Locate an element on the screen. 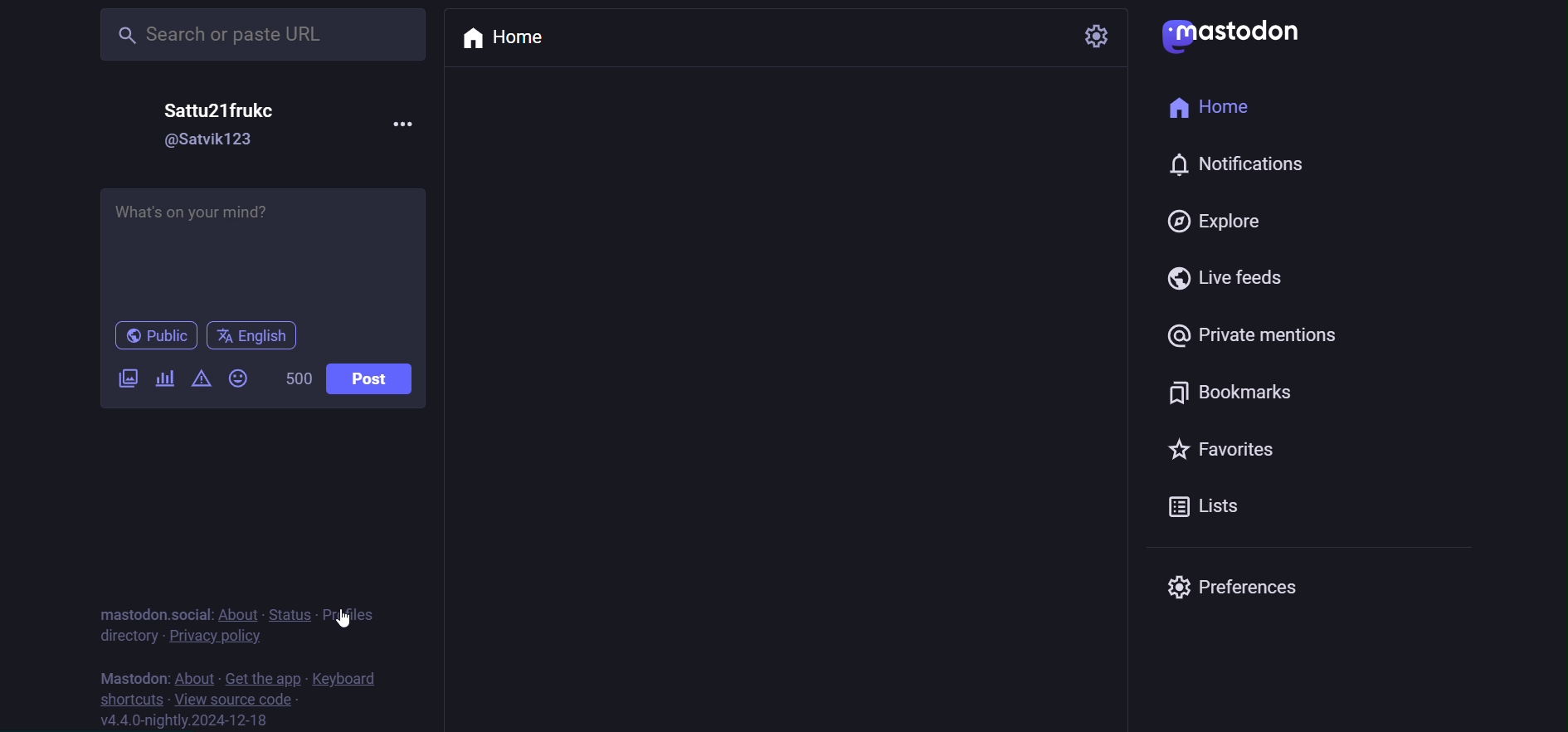 The width and height of the screenshot is (1568, 732). private mention is located at coordinates (1250, 338).